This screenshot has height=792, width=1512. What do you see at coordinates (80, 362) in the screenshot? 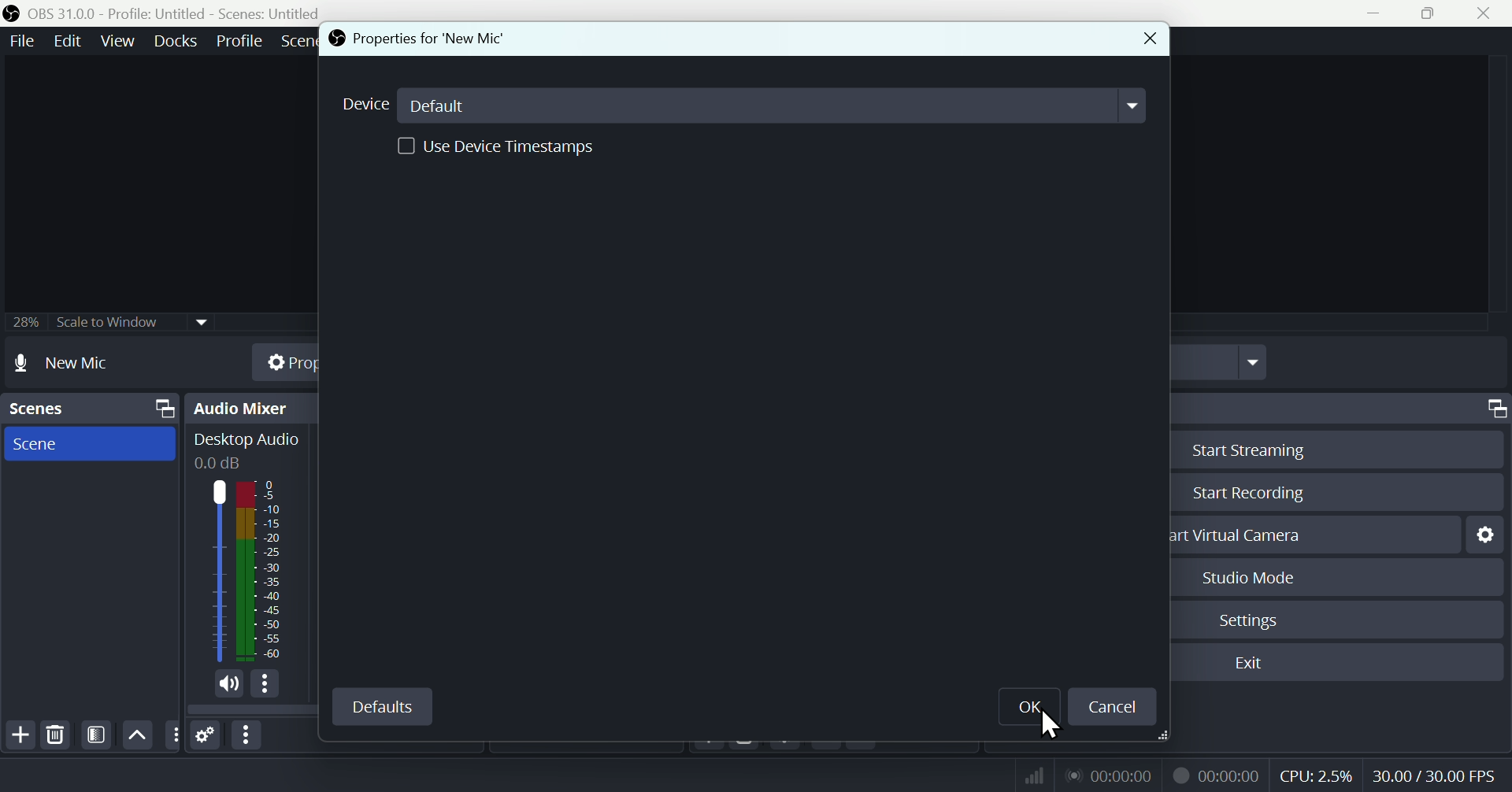
I see `New mic` at bounding box center [80, 362].